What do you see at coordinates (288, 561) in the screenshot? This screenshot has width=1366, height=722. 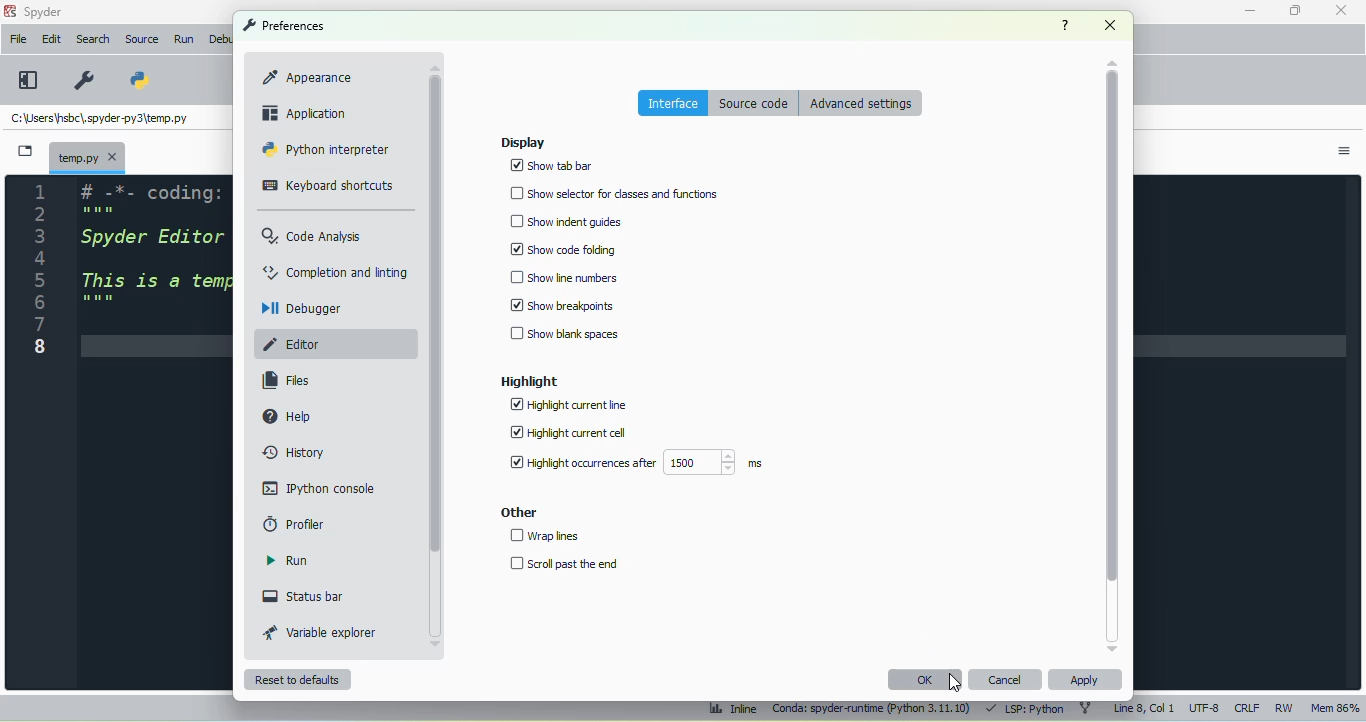 I see `run` at bounding box center [288, 561].